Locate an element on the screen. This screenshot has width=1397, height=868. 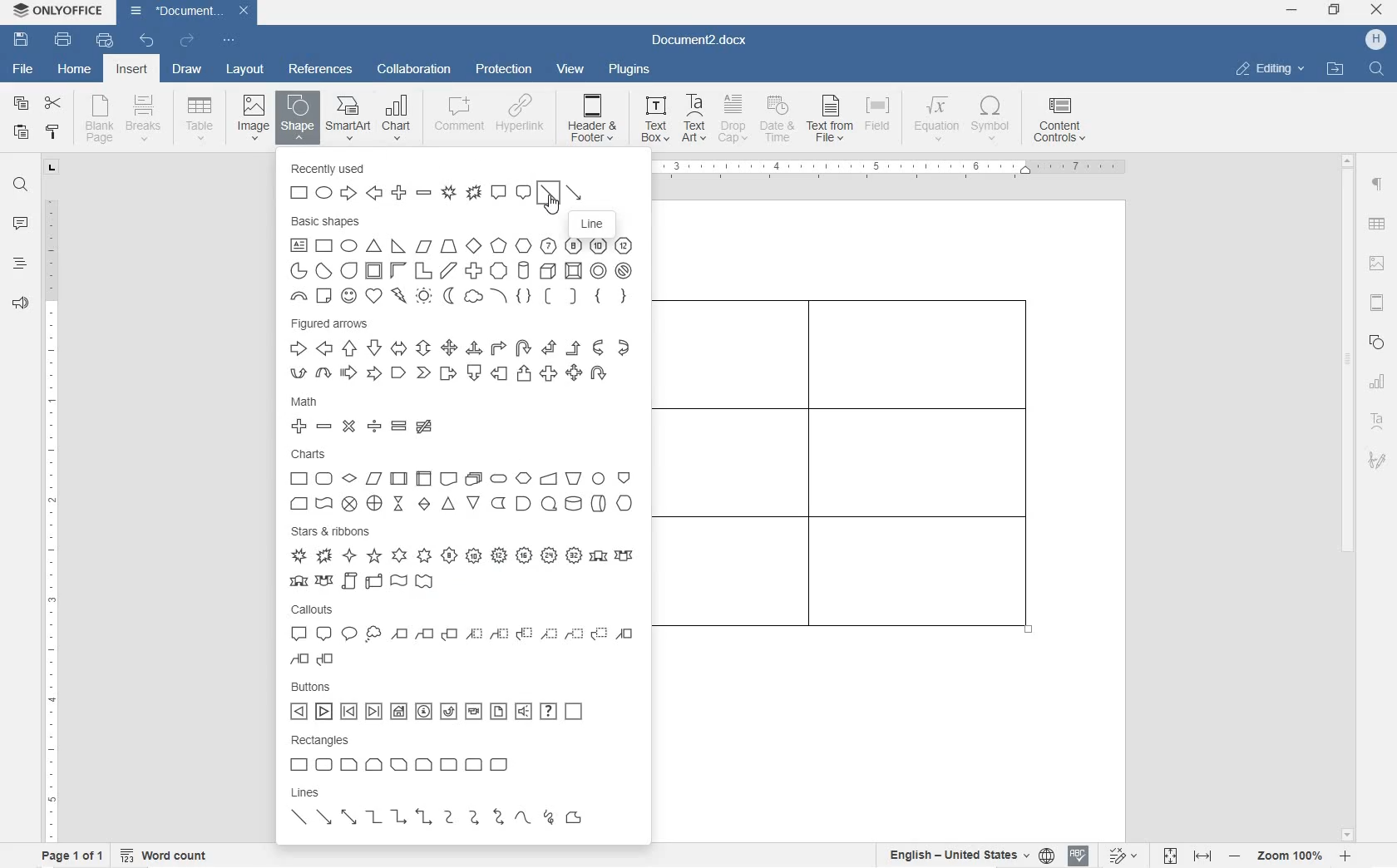
page 1 of 1 is located at coordinates (70, 856).